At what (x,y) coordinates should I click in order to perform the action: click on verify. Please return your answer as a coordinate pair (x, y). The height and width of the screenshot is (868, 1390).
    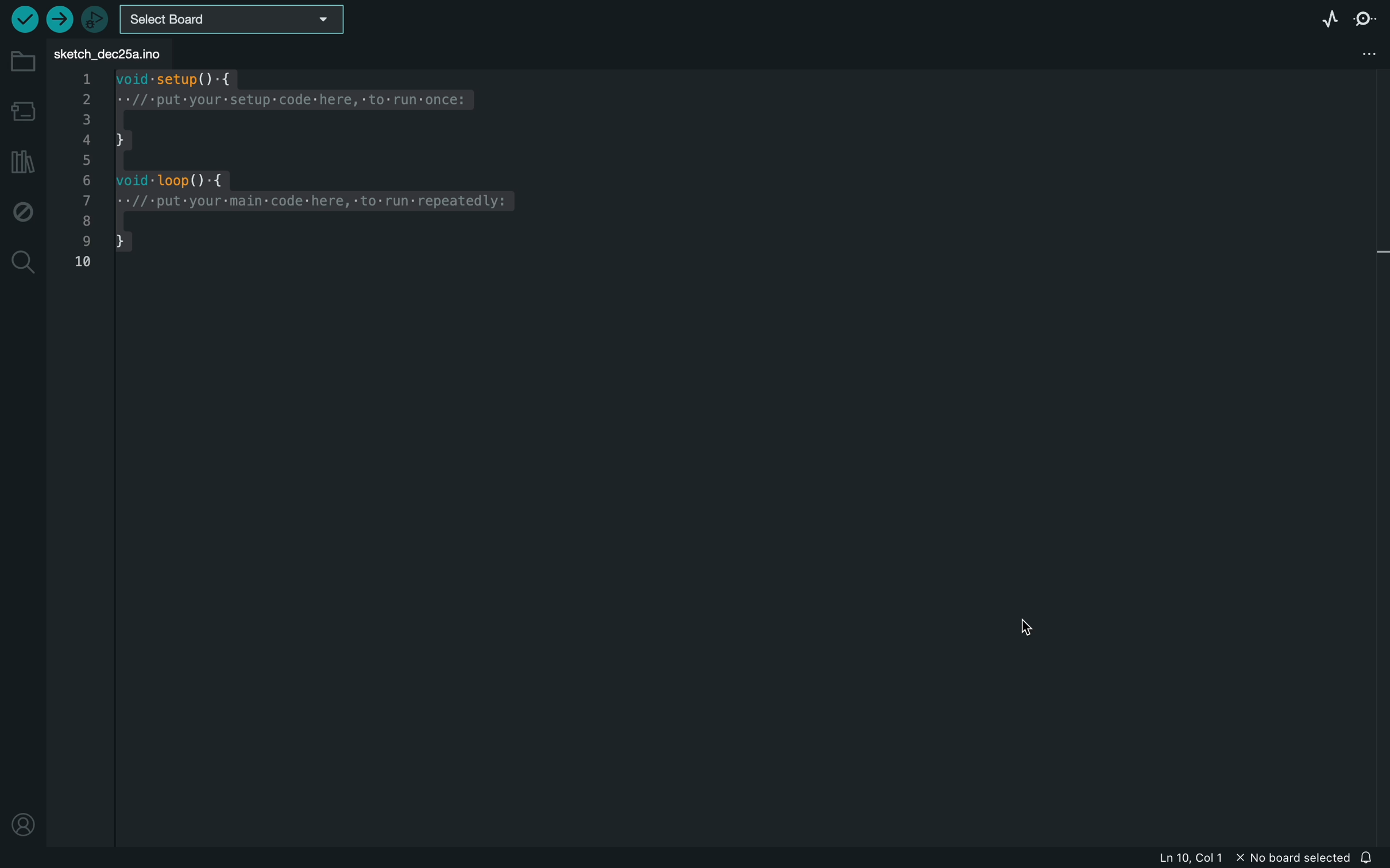
    Looking at the image, I should click on (23, 21).